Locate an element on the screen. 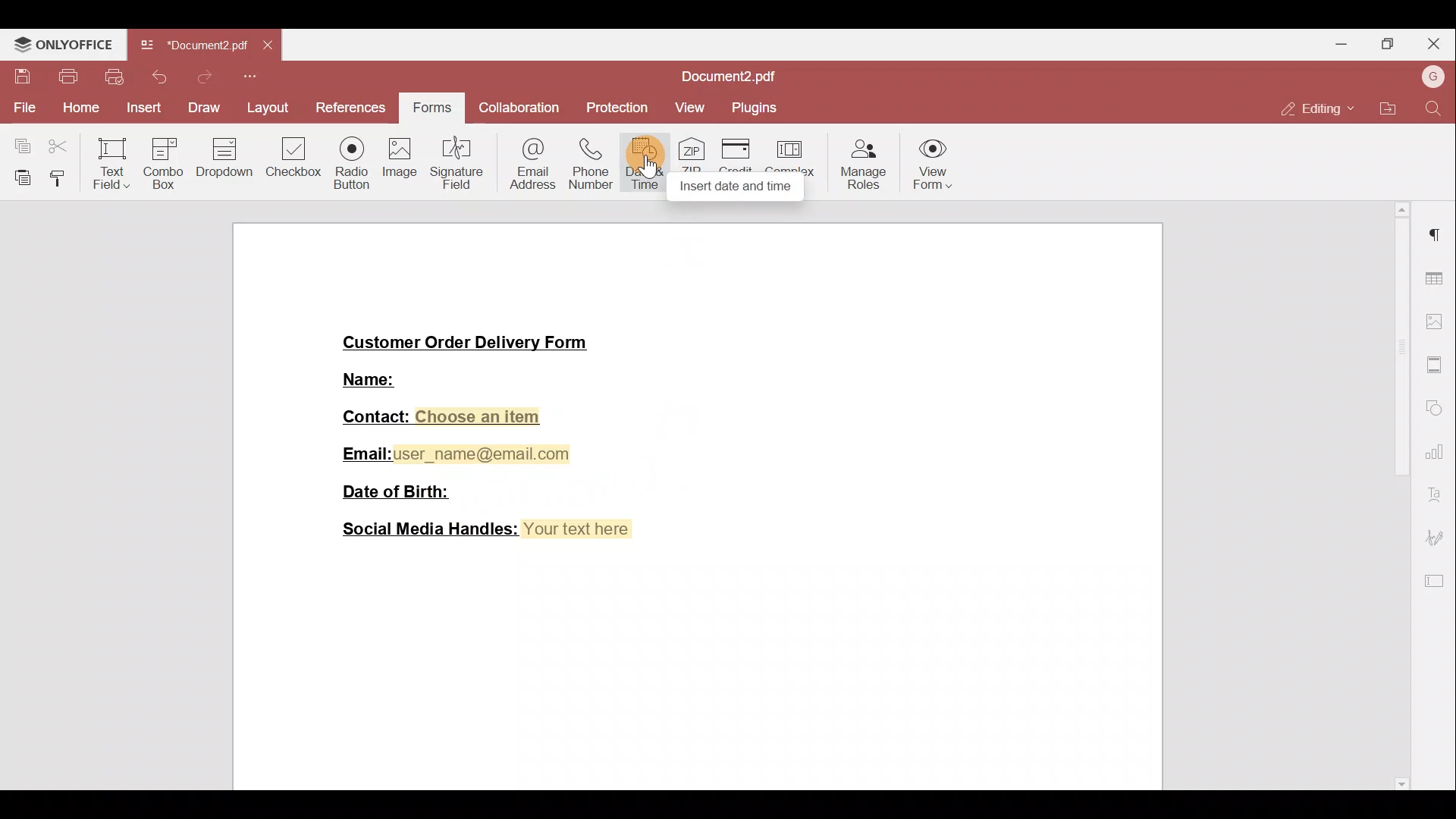 This screenshot has height=819, width=1456. Scroll bar is located at coordinates (1400, 497).